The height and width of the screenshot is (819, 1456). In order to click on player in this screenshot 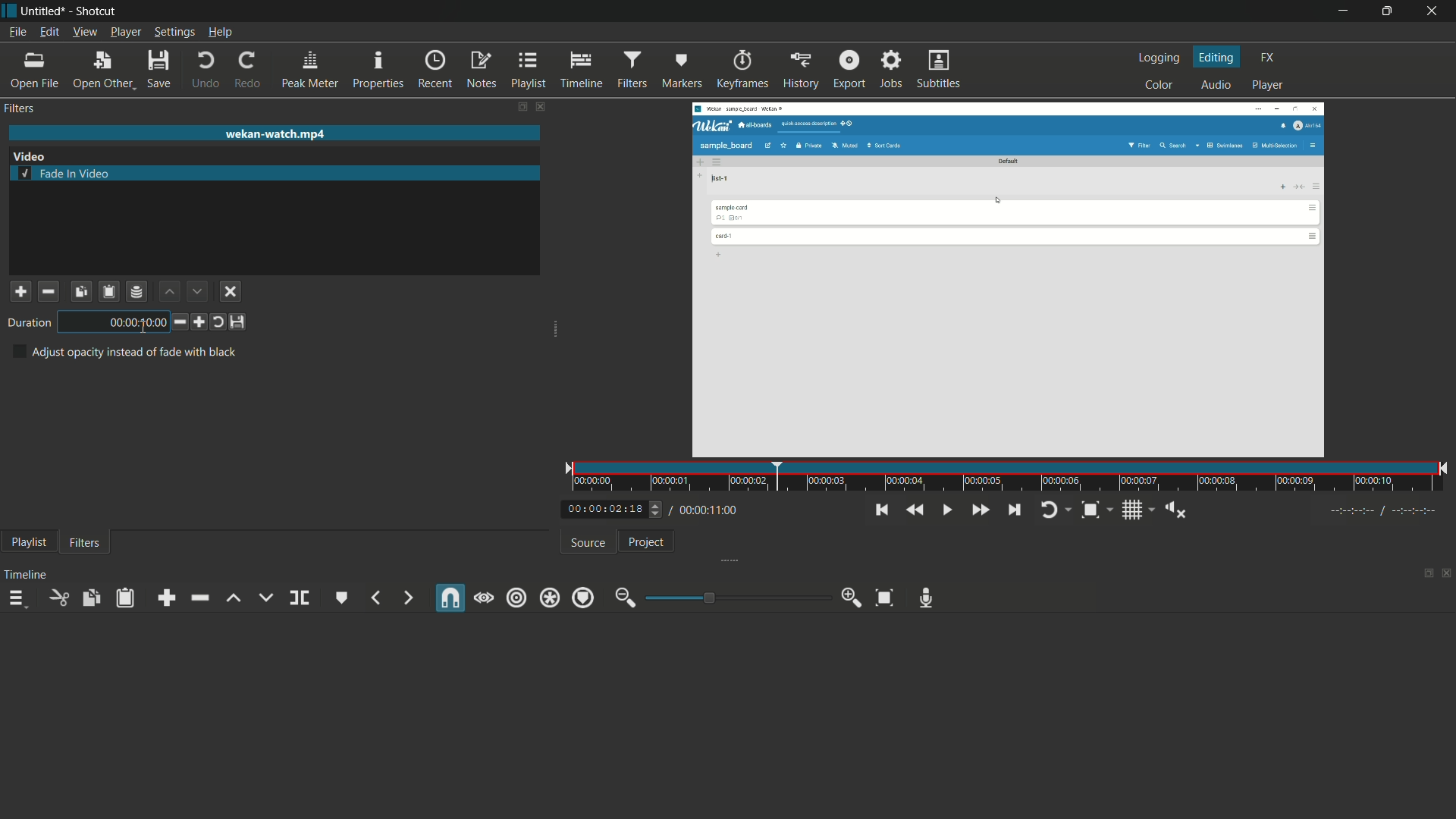, I will do `click(1269, 86)`.